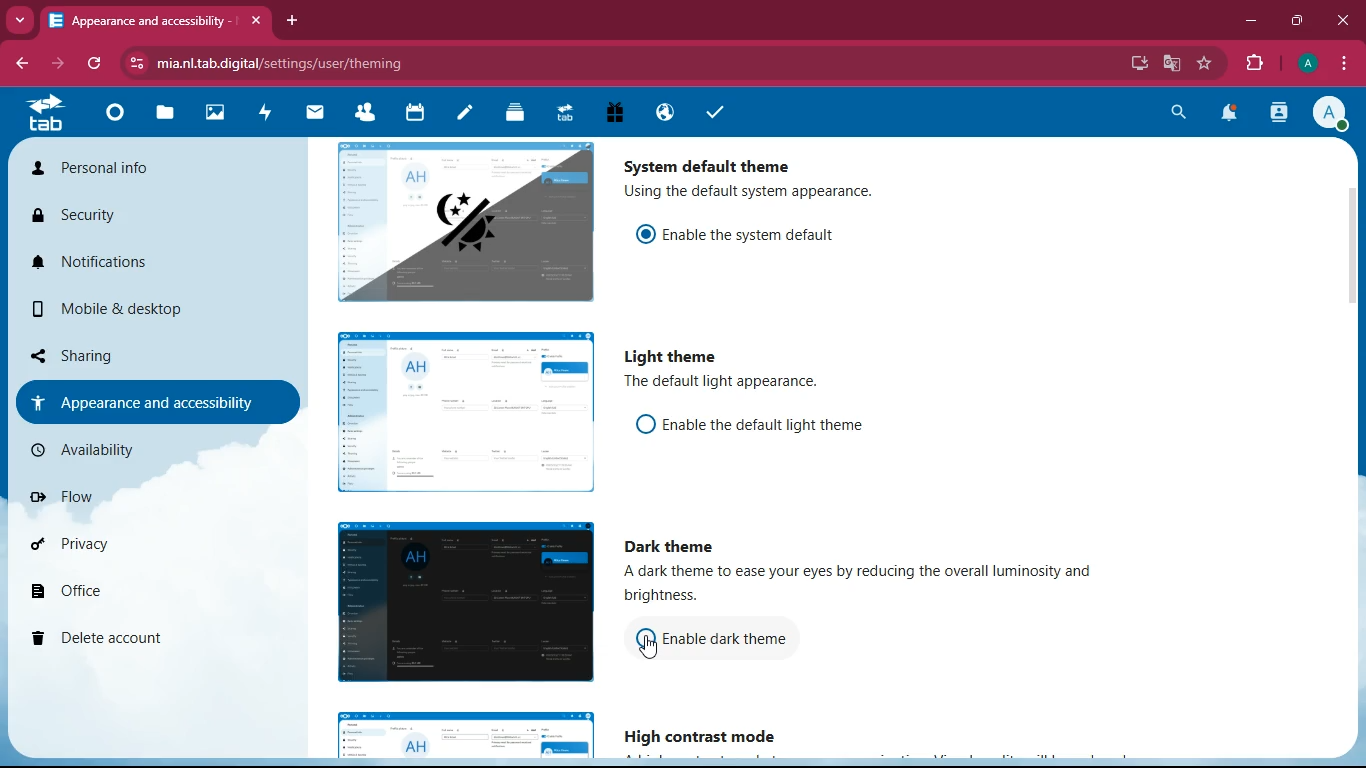  Describe the element at coordinates (44, 113) in the screenshot. I see `tab` at that location.